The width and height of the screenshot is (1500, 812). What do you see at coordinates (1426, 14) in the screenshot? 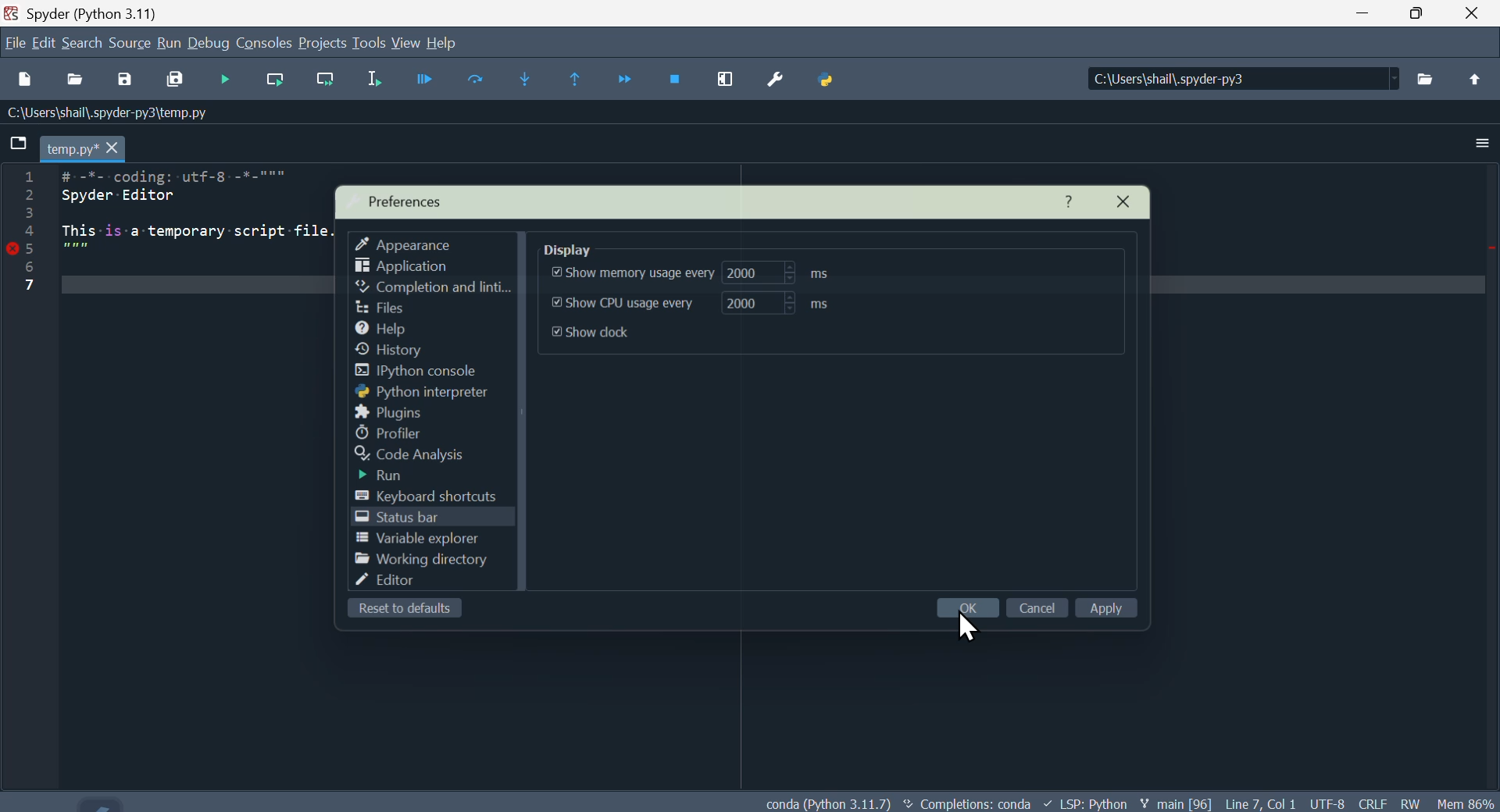
I see `Maximise` at bounding box center [1426, 14].